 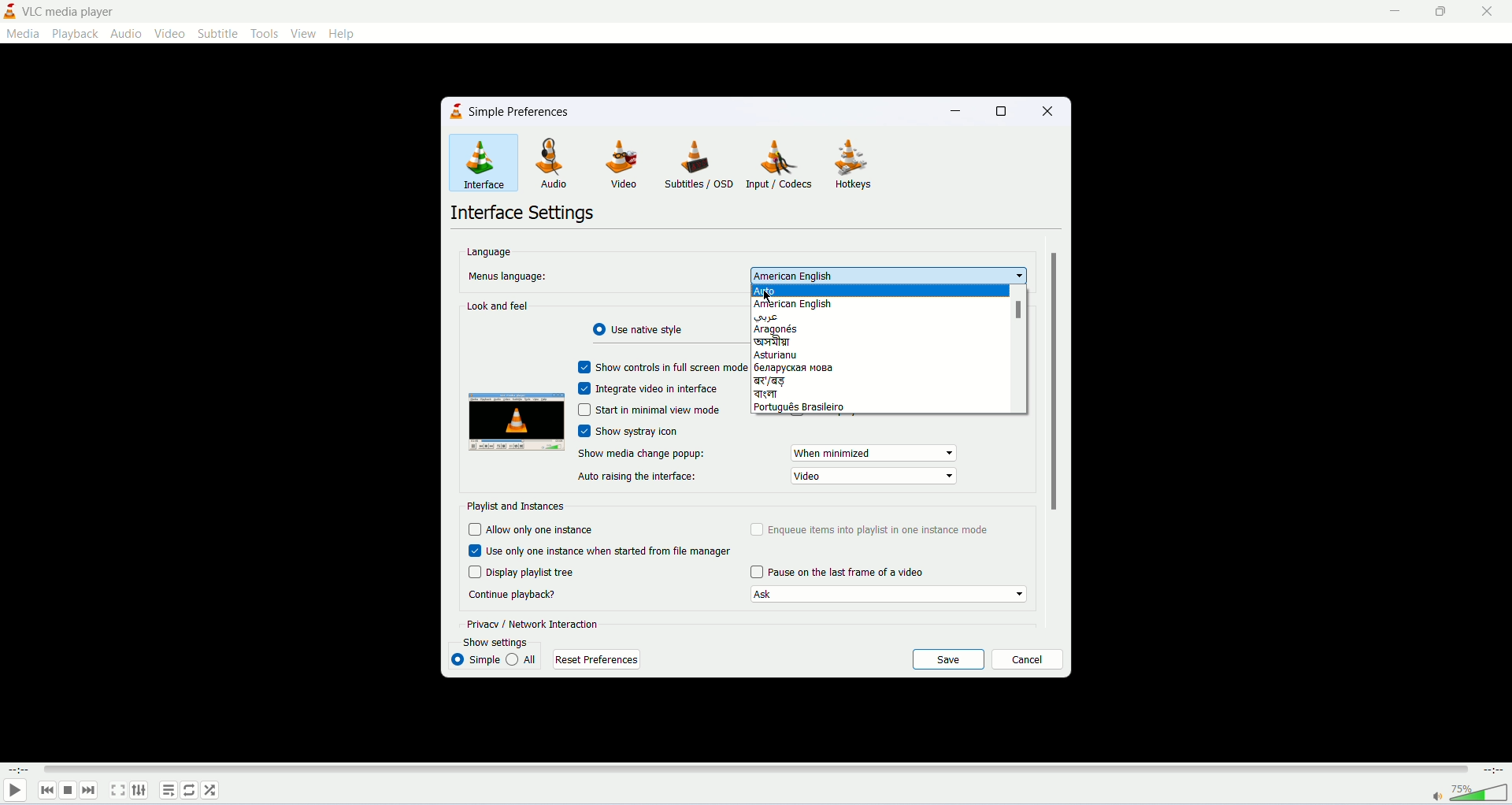 What do you see at coordinates (850, 164) in the screenshot?
I see `hotkeys` at bounding box center [850, 164].